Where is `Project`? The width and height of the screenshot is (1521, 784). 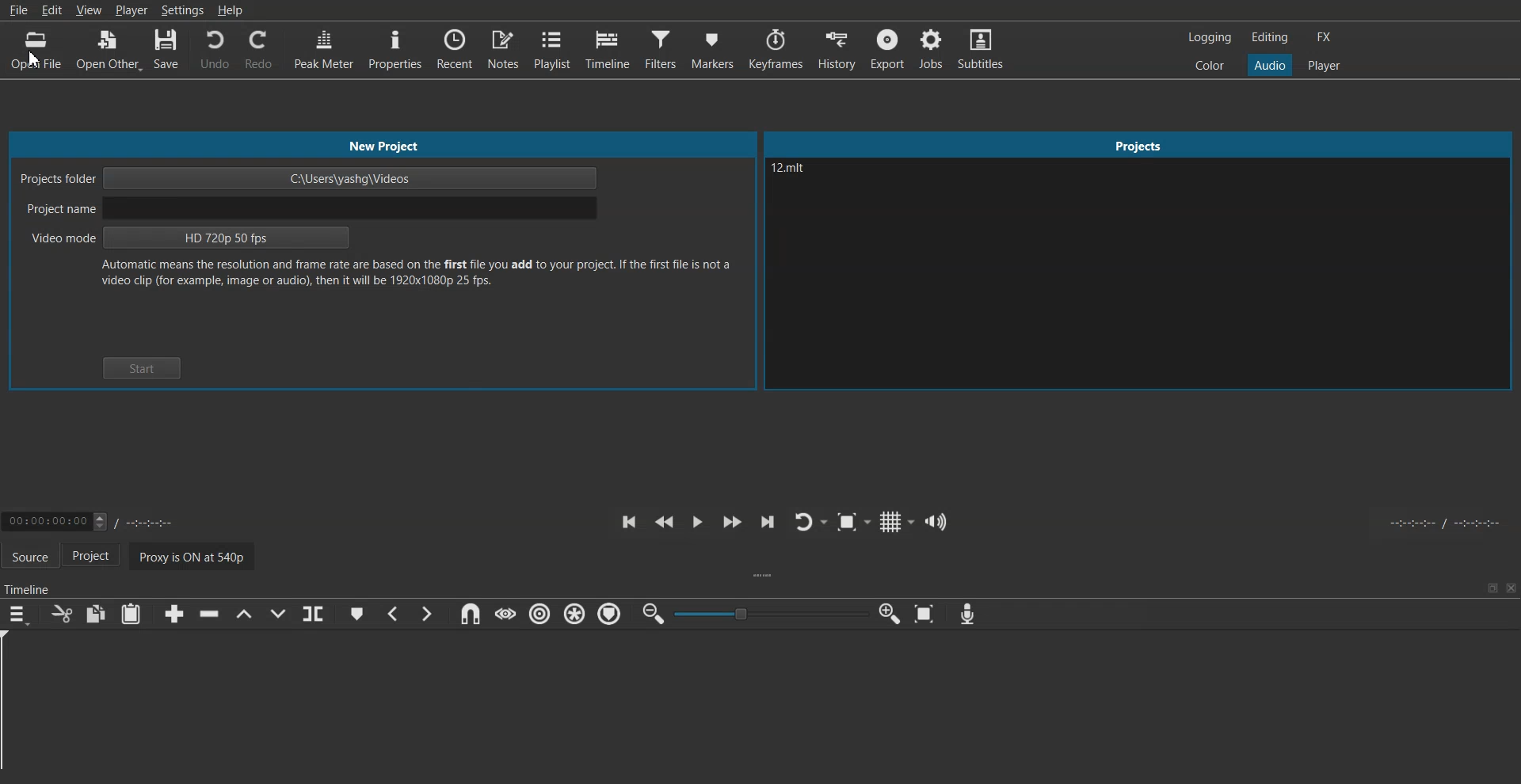 Project is located at coordinates (1139, 142).